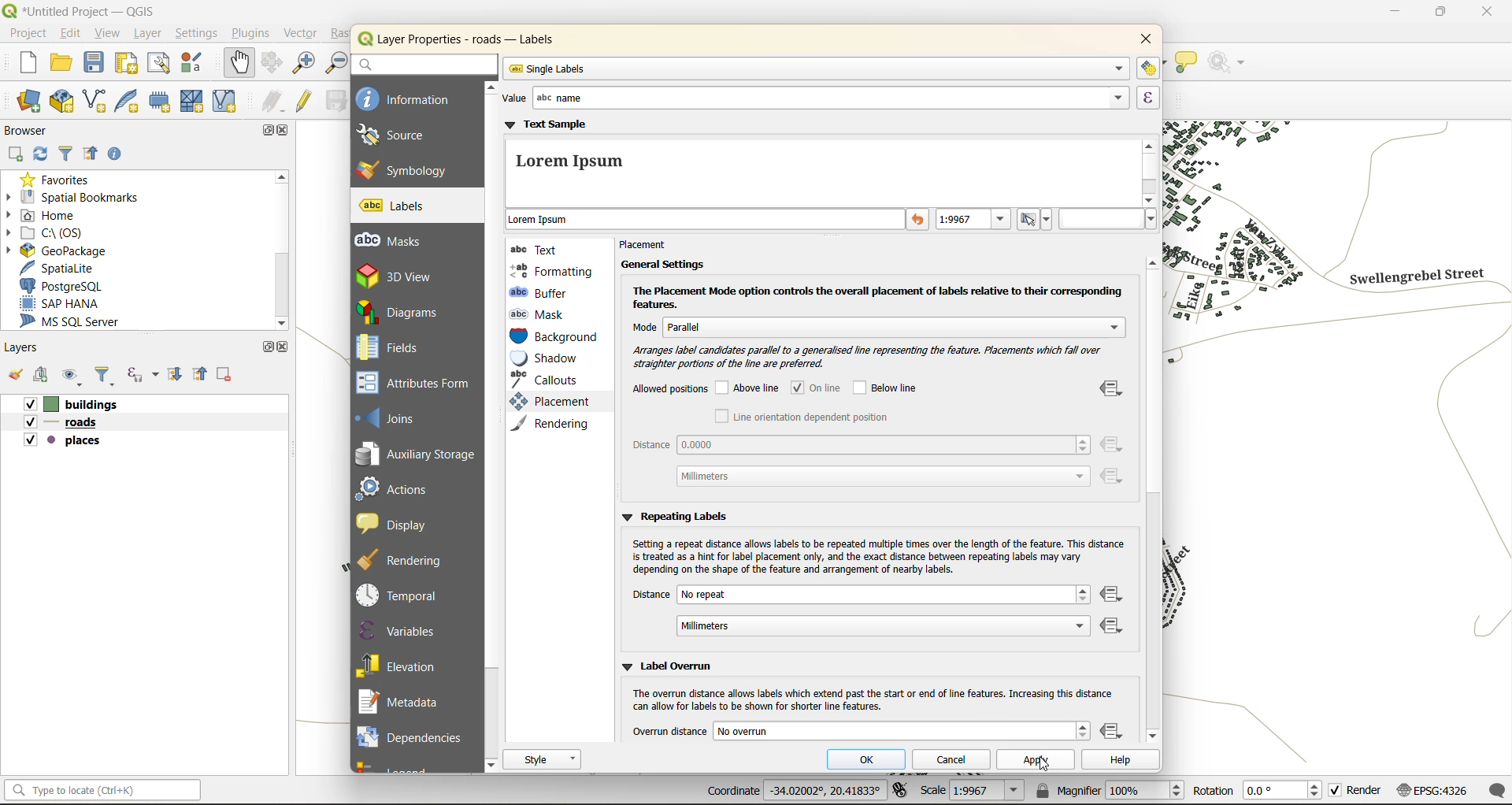 The image size is (1512, 805). What do you see at coordinates (816, 69) in the screenshot?
I see `single labels` at bounding box center [816, 69].